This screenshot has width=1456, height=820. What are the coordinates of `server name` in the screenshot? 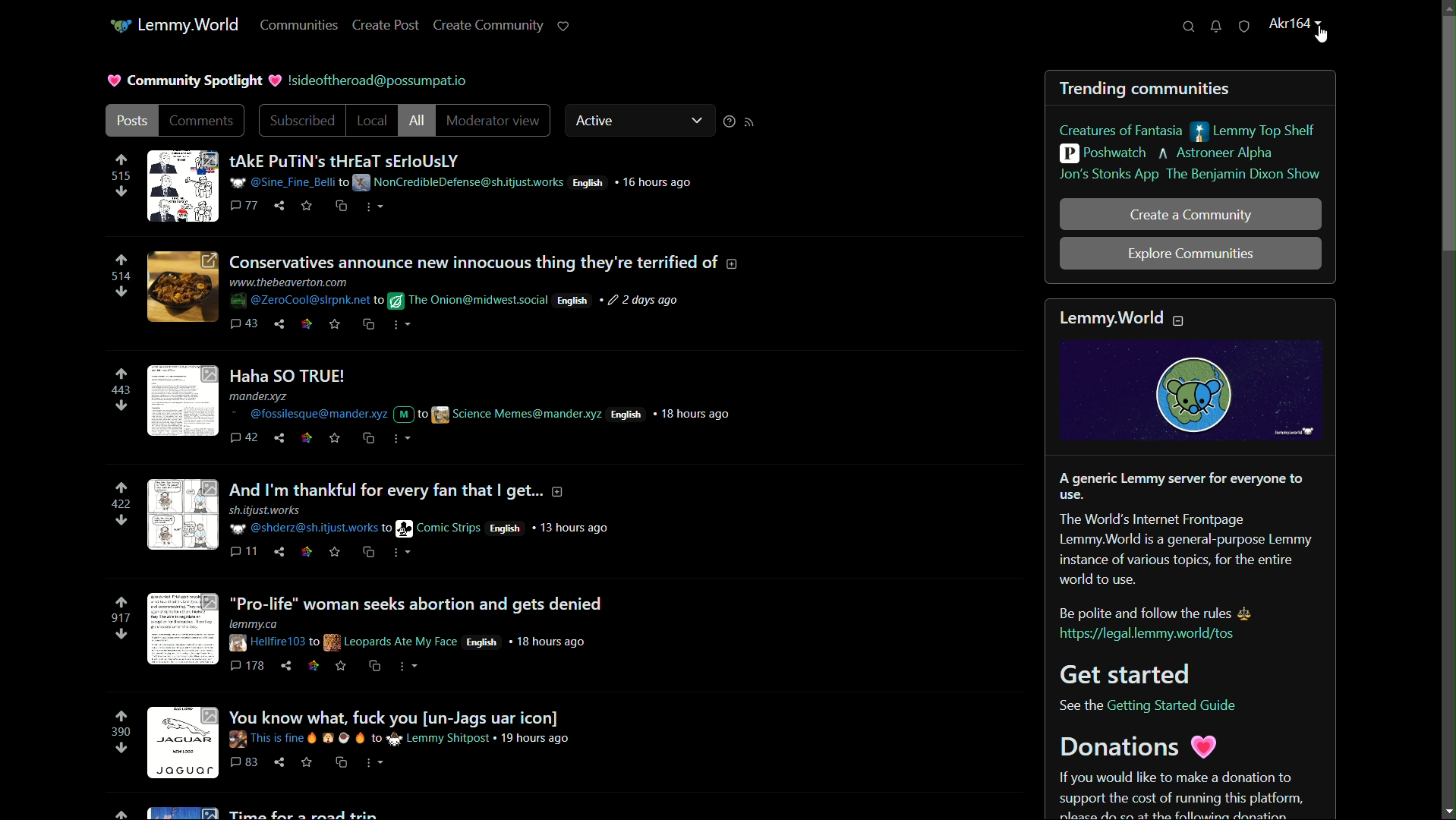 It's located at (191, 24).